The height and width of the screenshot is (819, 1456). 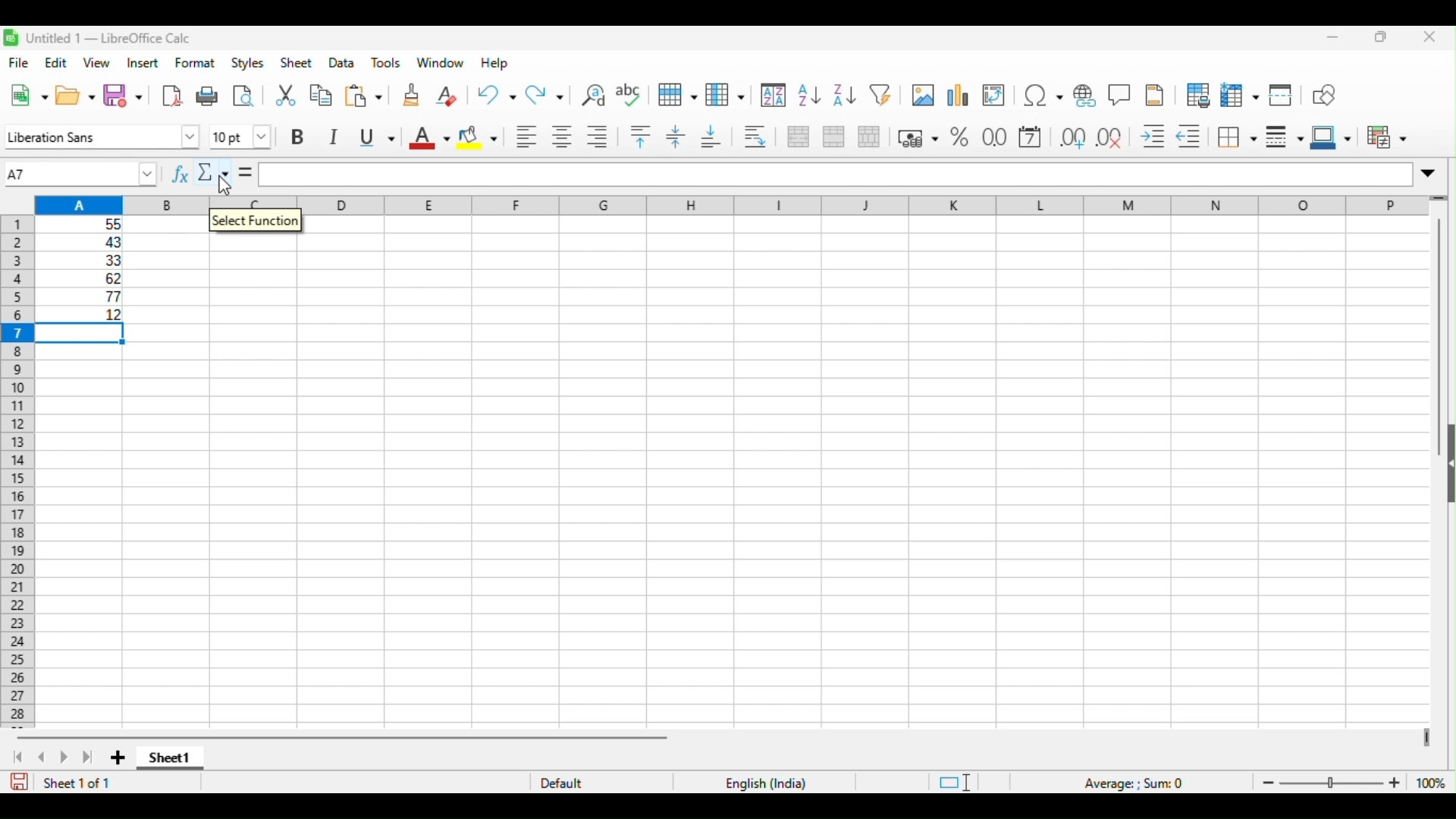 What do you see at coordinates (1284, 93) in the screenshot?
I see `split window` at bounding box center [1284, 93].